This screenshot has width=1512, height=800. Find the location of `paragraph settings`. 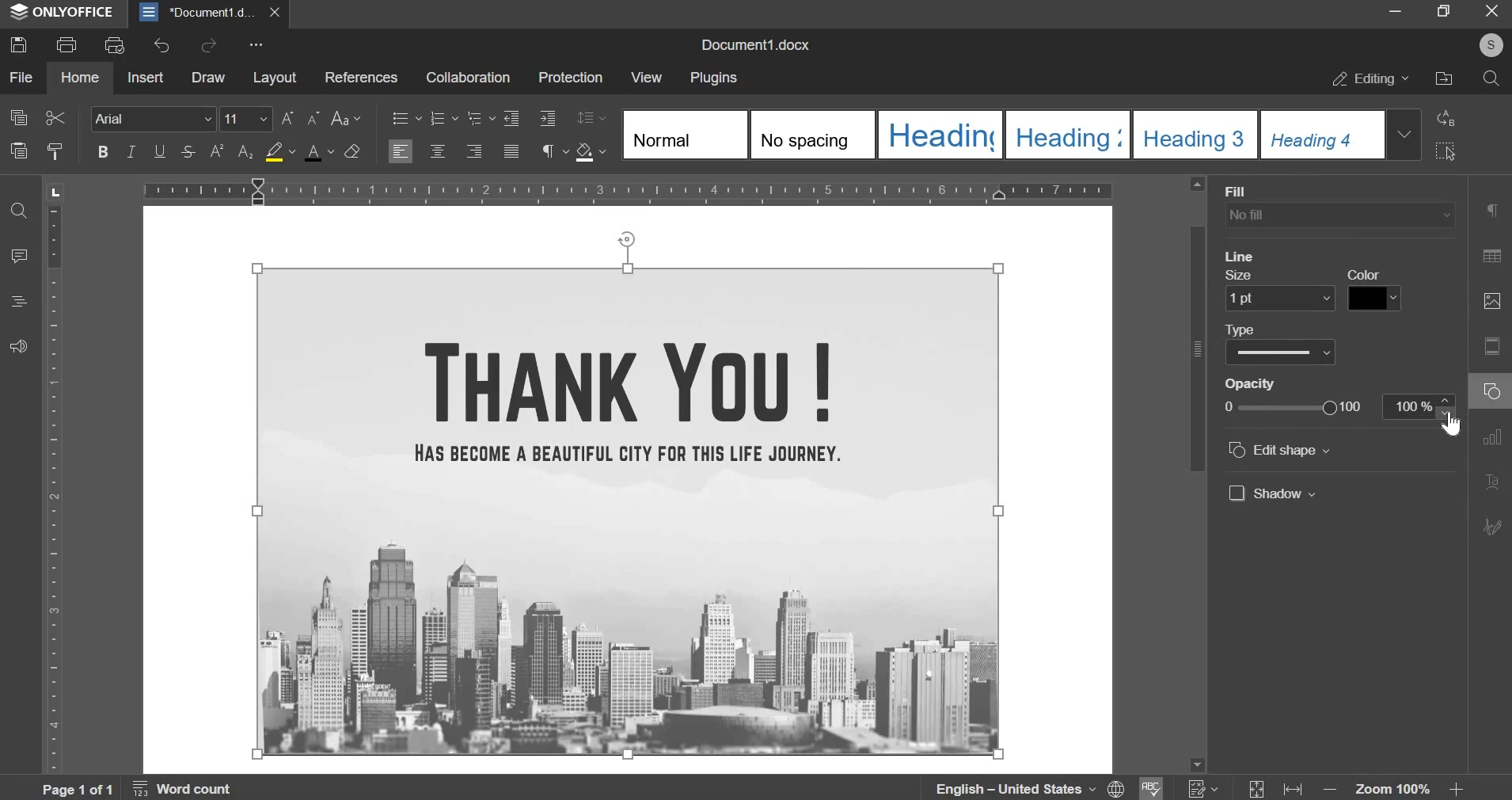

paragraph settings is located at coordinates (553, 151).